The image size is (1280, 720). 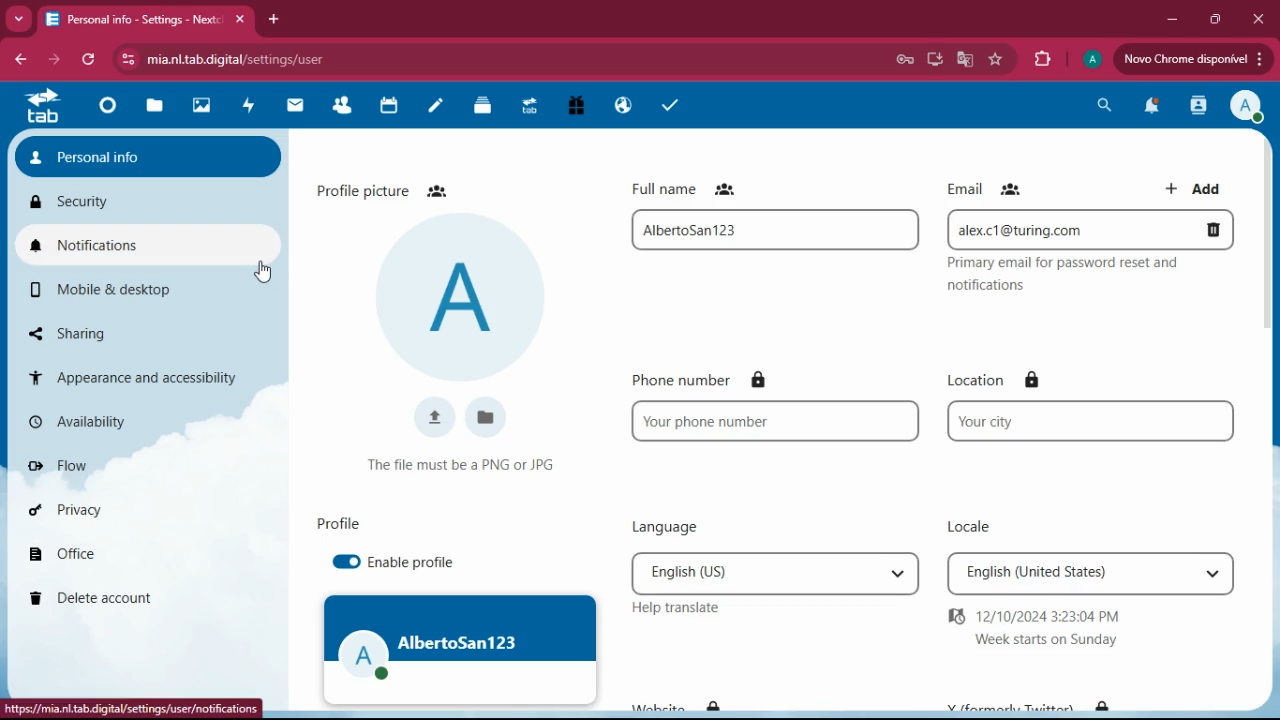 What do you see at coordinates (962, 521) in the screenshot?
I see `locale` at bounding box center [962, 521].